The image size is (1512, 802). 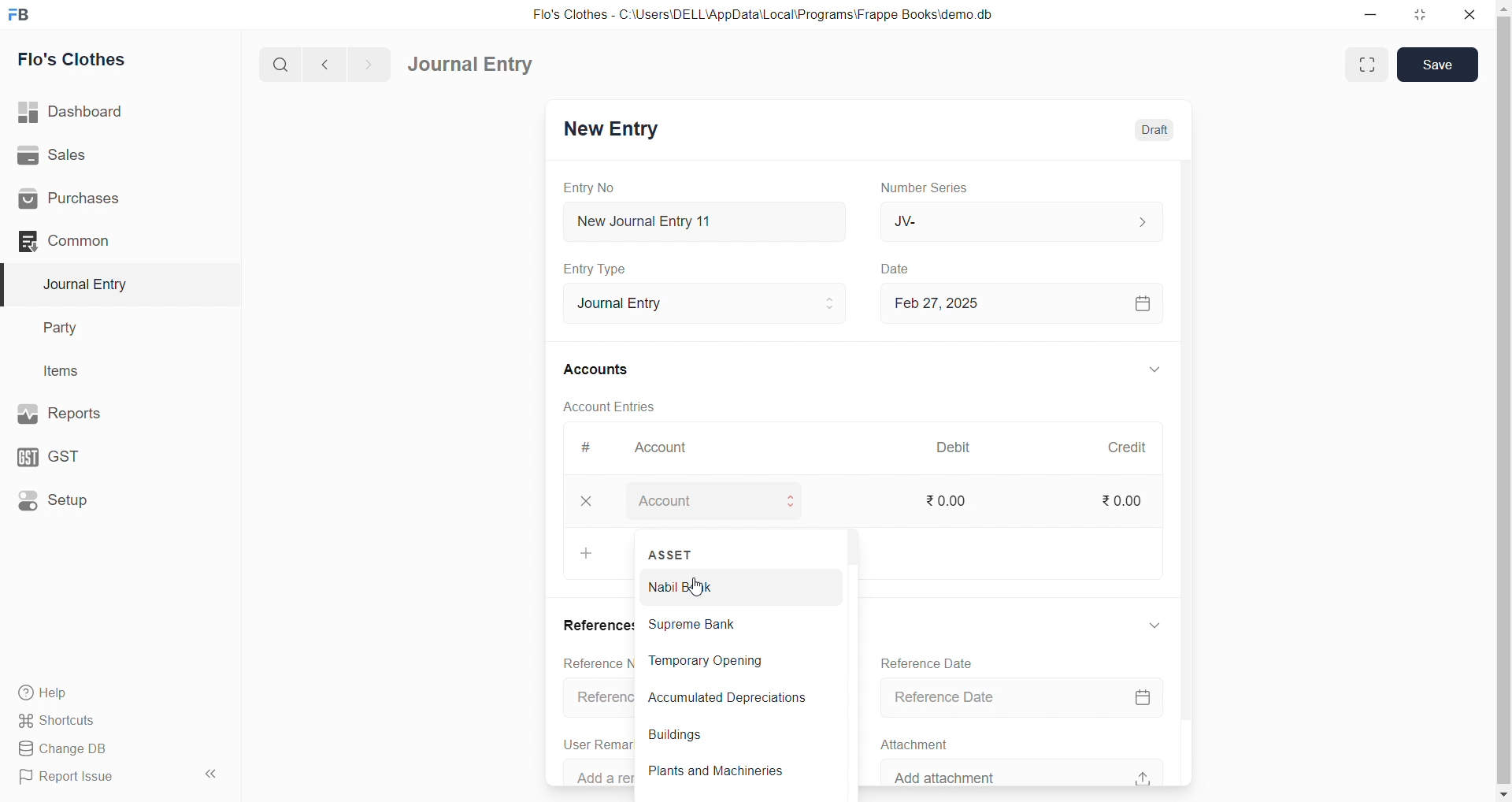 I want to click on Journal Entry, so click(x=471, y=64).